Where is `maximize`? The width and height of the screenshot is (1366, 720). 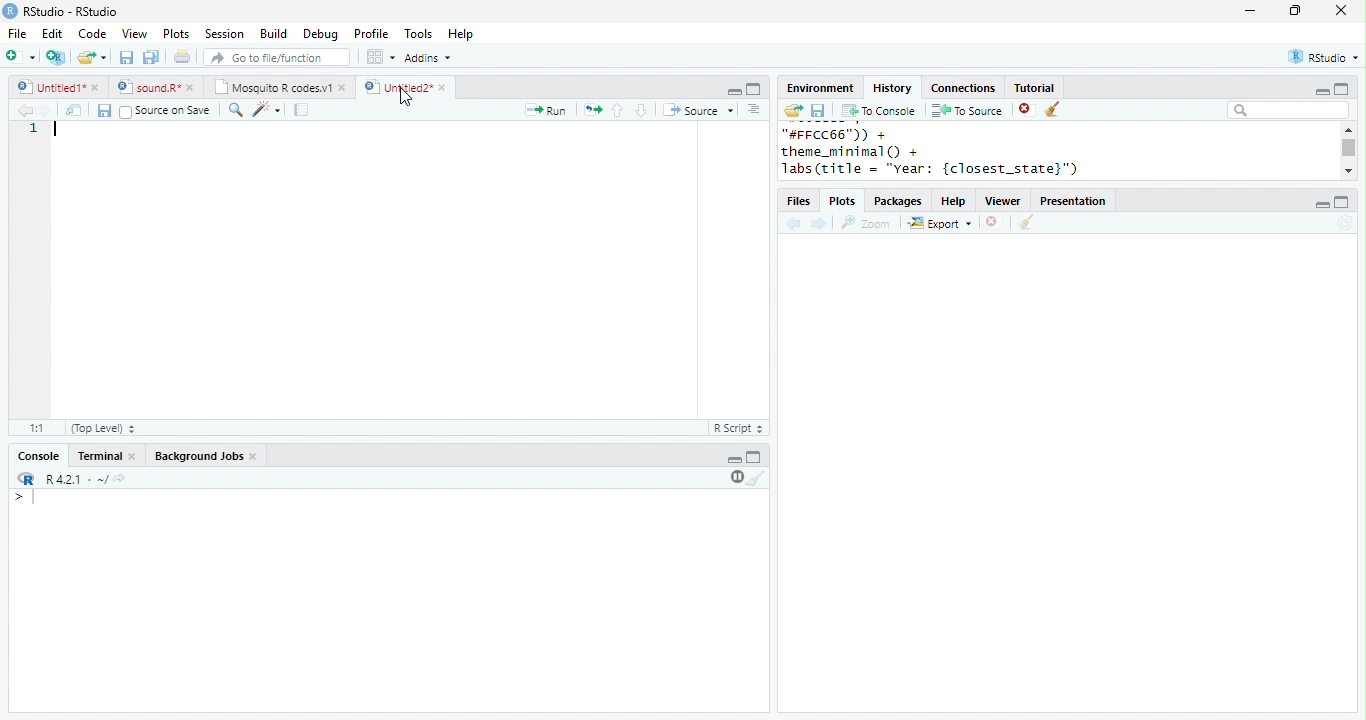
maximize is located at coordinates (1342, 88).